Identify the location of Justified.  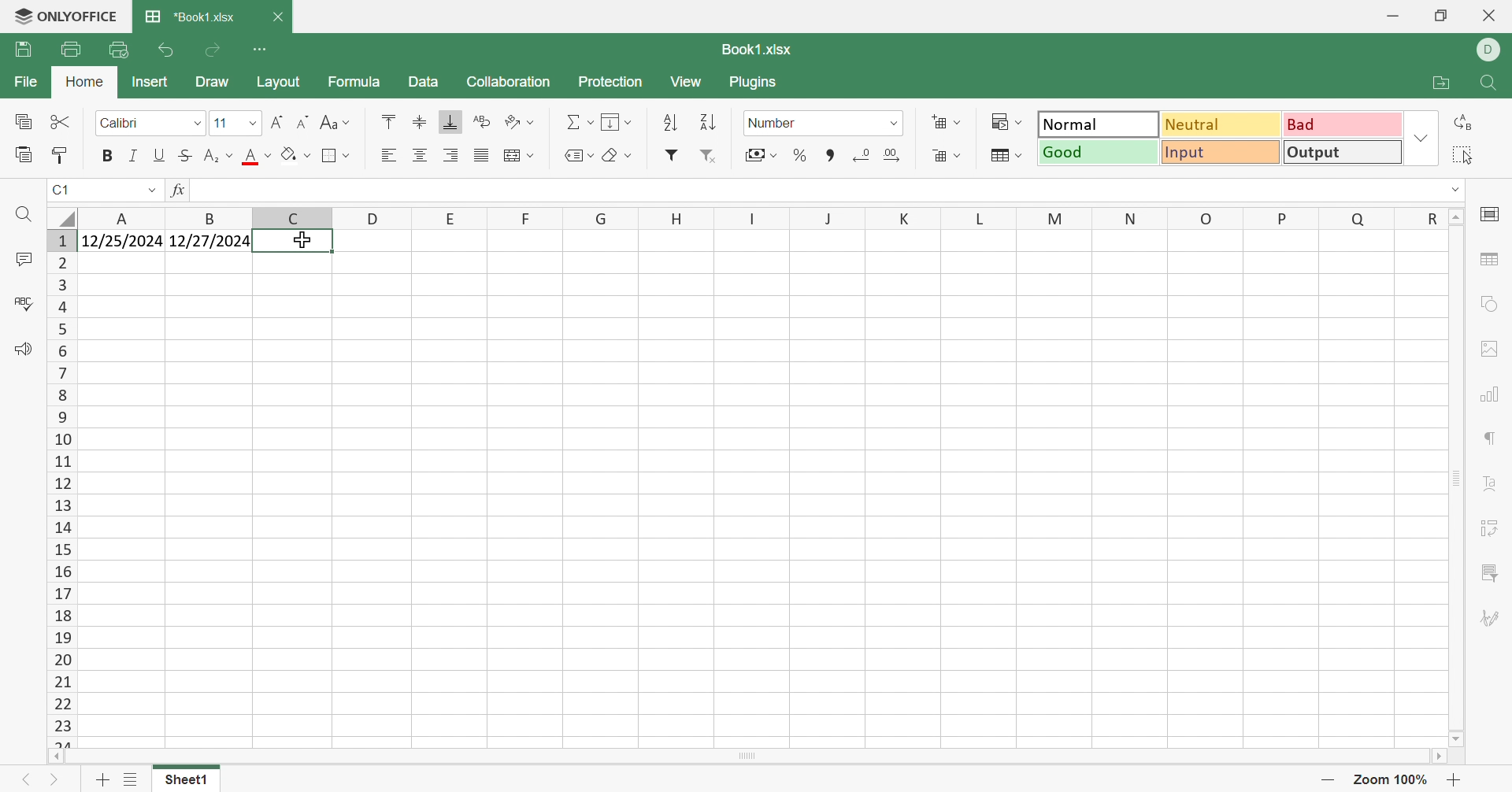
(480, 154).